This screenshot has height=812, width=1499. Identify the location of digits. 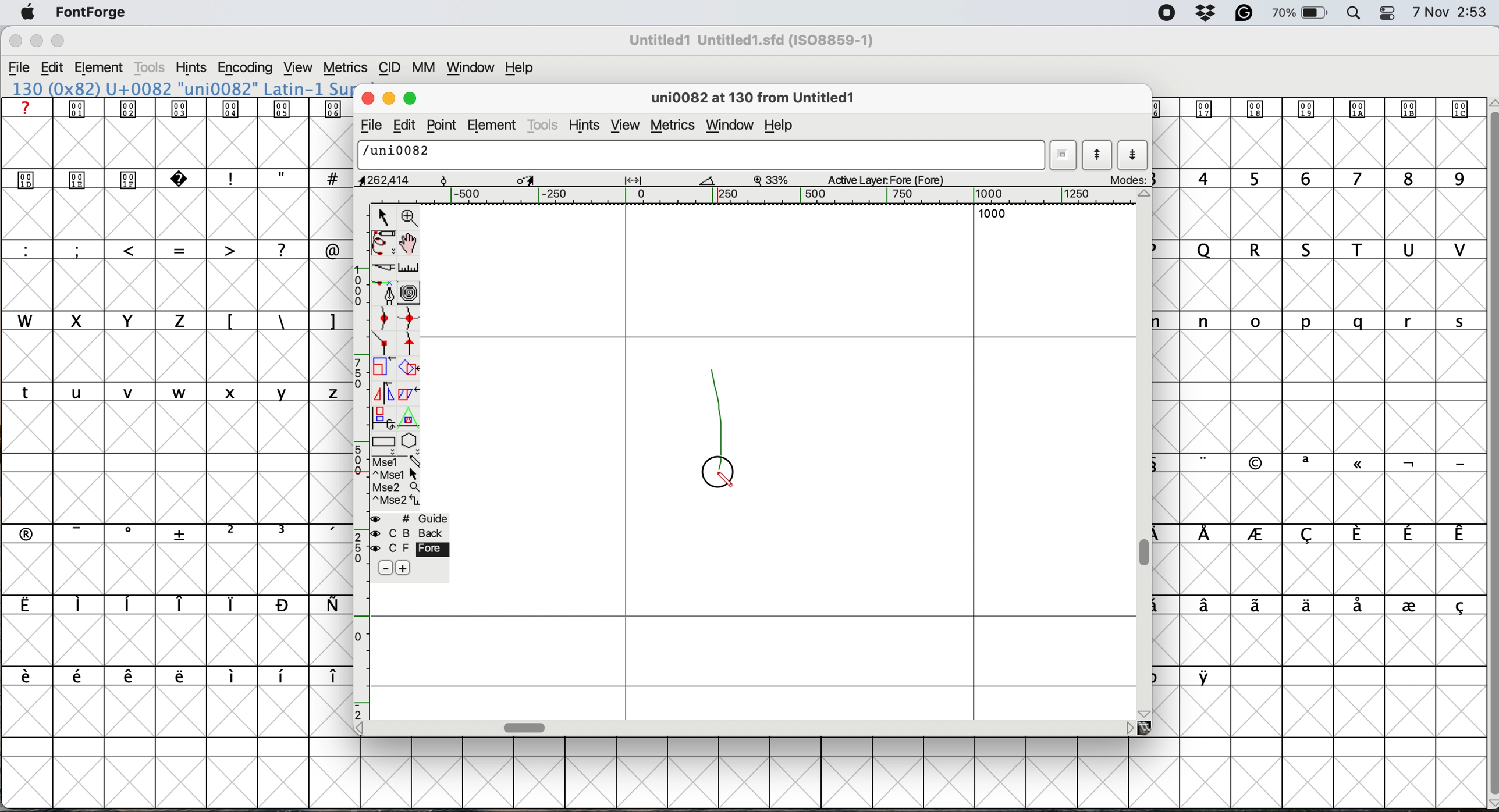
(1315, 180).